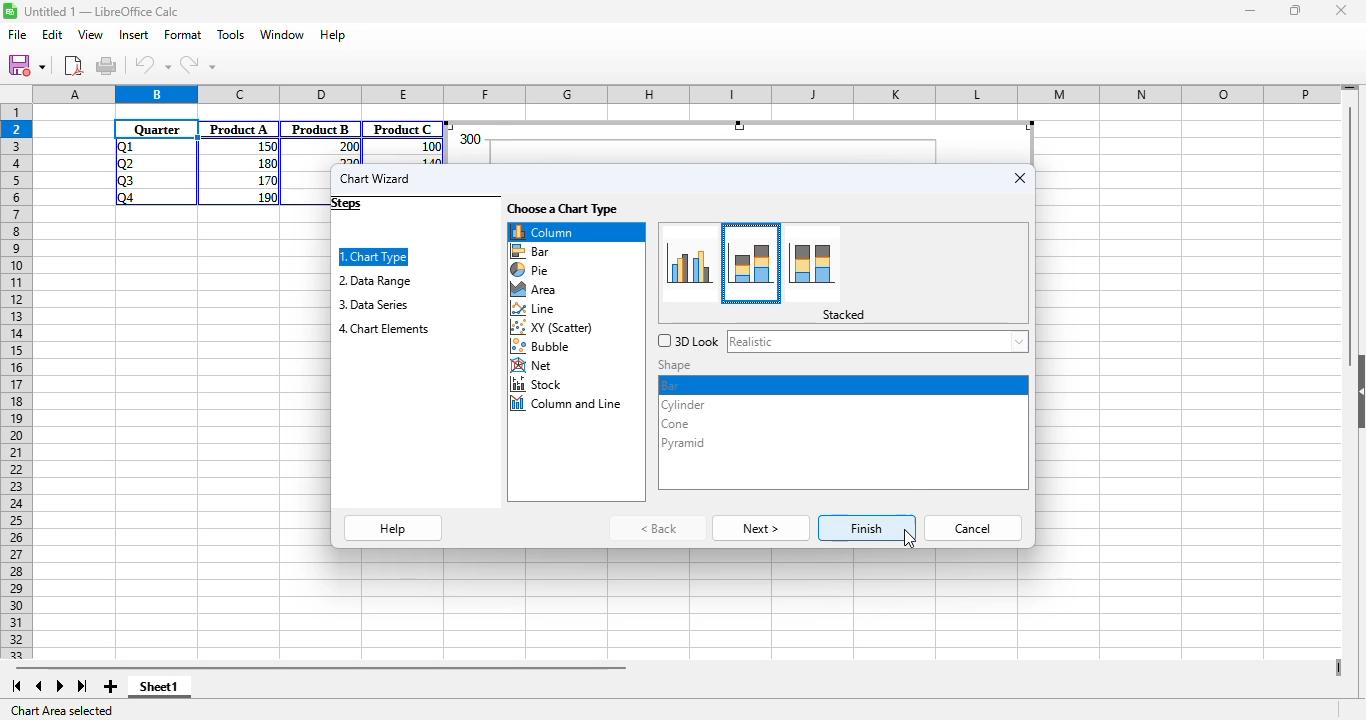  I want to click on export directly as PDF, so click(73, 65).